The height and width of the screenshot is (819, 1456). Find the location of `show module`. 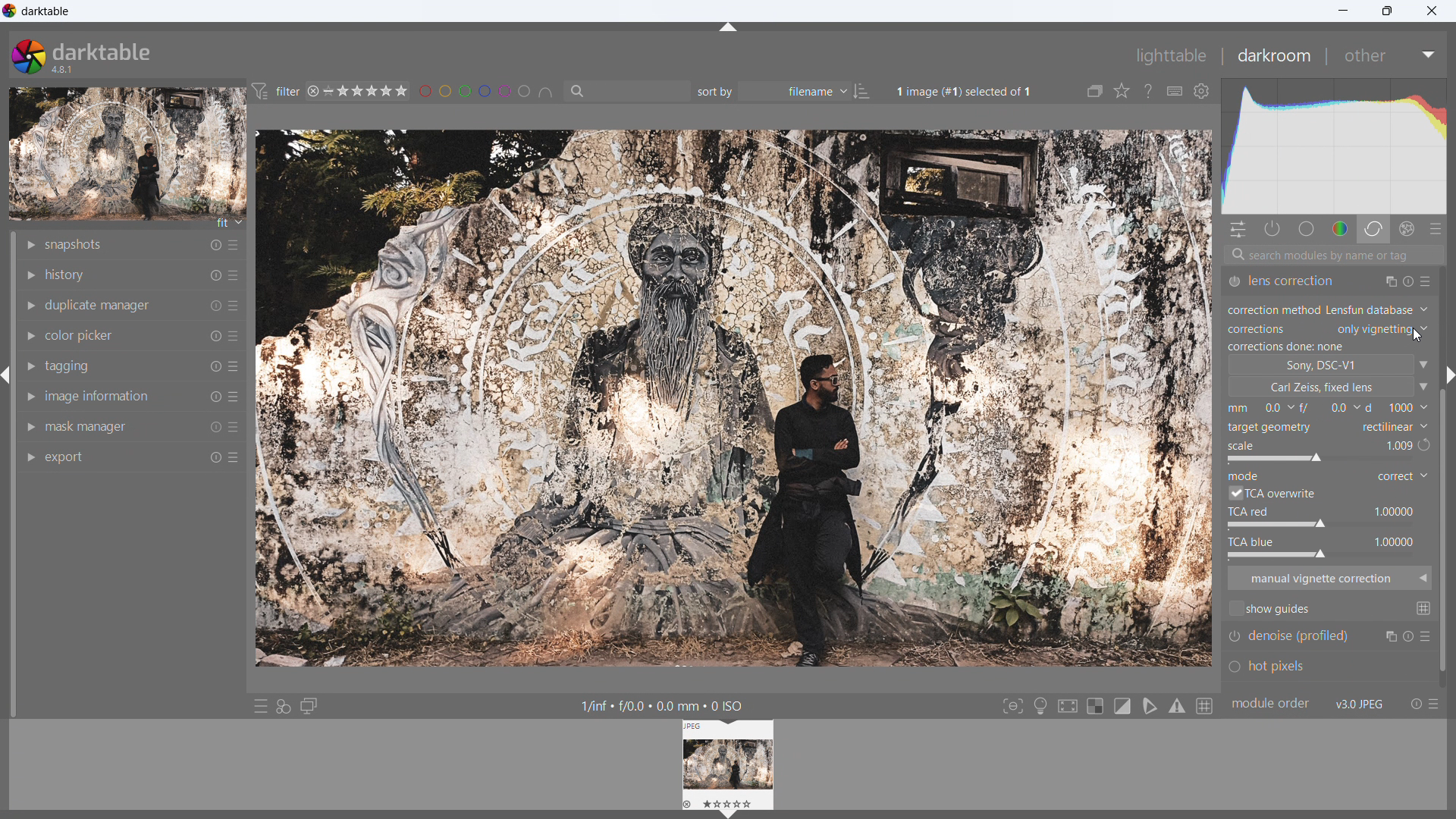

show module is located at coordinates (28, 246).